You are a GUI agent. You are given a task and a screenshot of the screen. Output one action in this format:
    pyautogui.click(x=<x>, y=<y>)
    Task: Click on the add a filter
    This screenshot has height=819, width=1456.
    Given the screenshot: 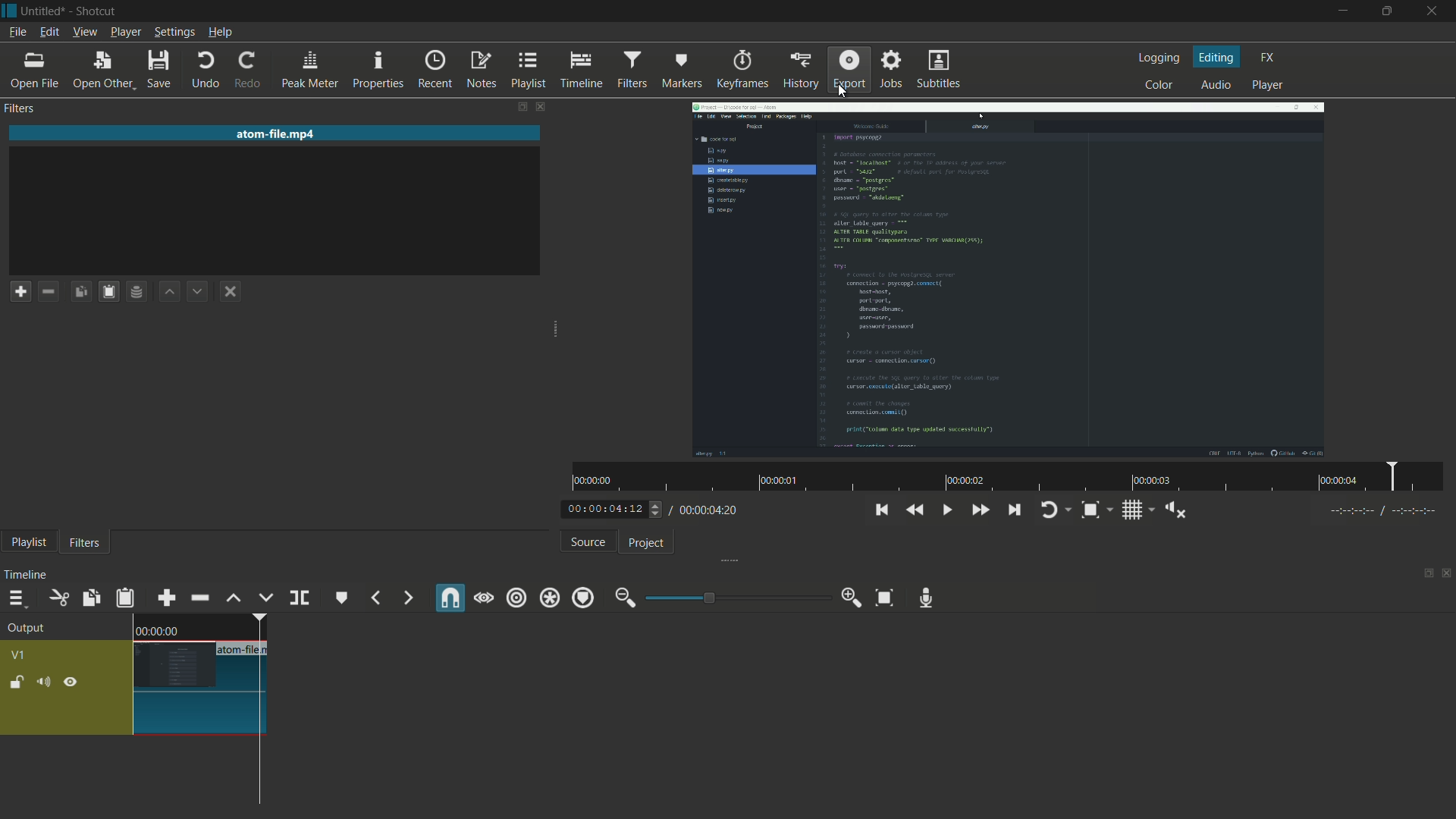 What is the action you would take?
    pyautogui.click(x=21, y=292)
    